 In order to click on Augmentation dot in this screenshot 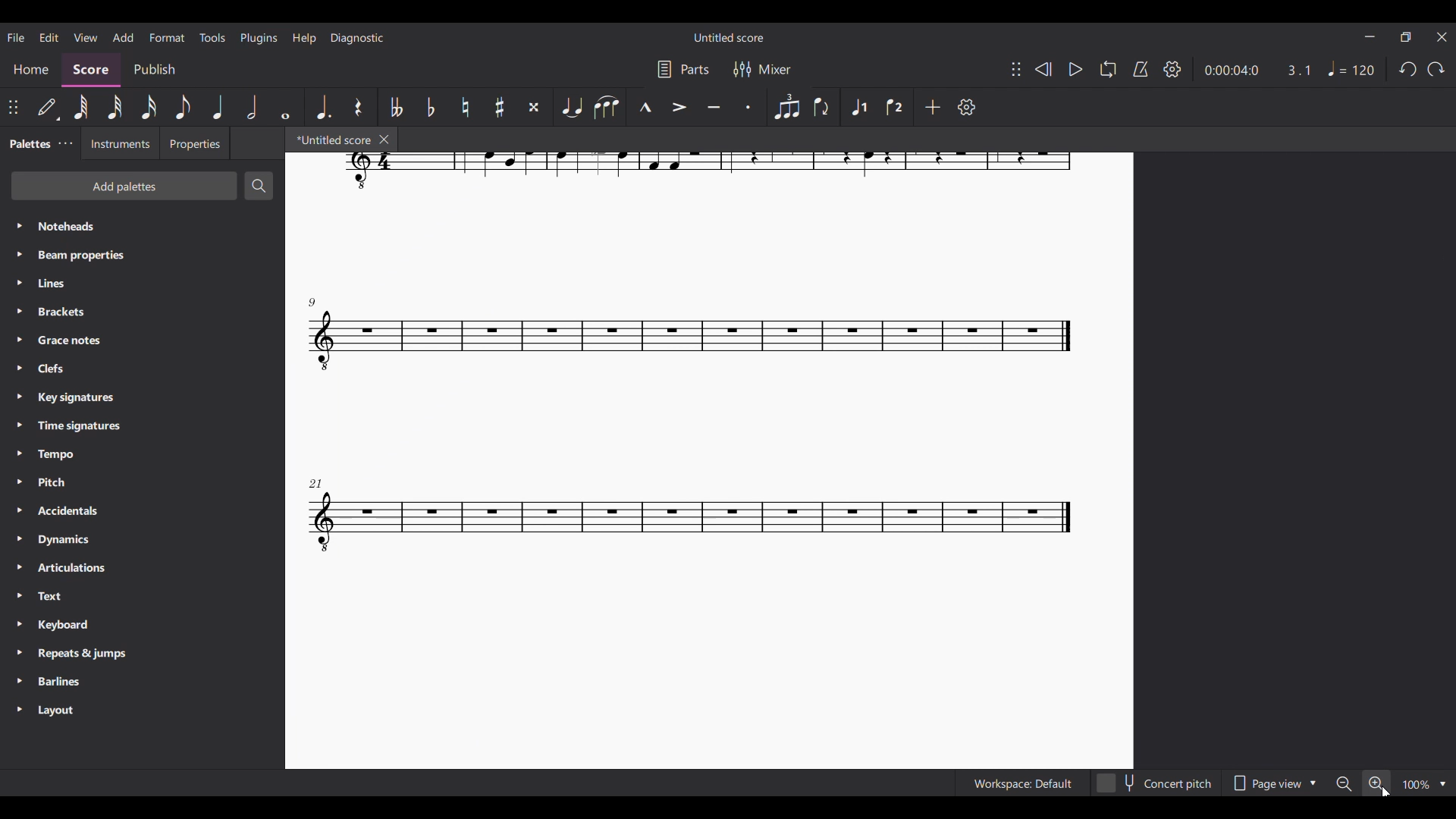, I will do `click(323, 106)`.